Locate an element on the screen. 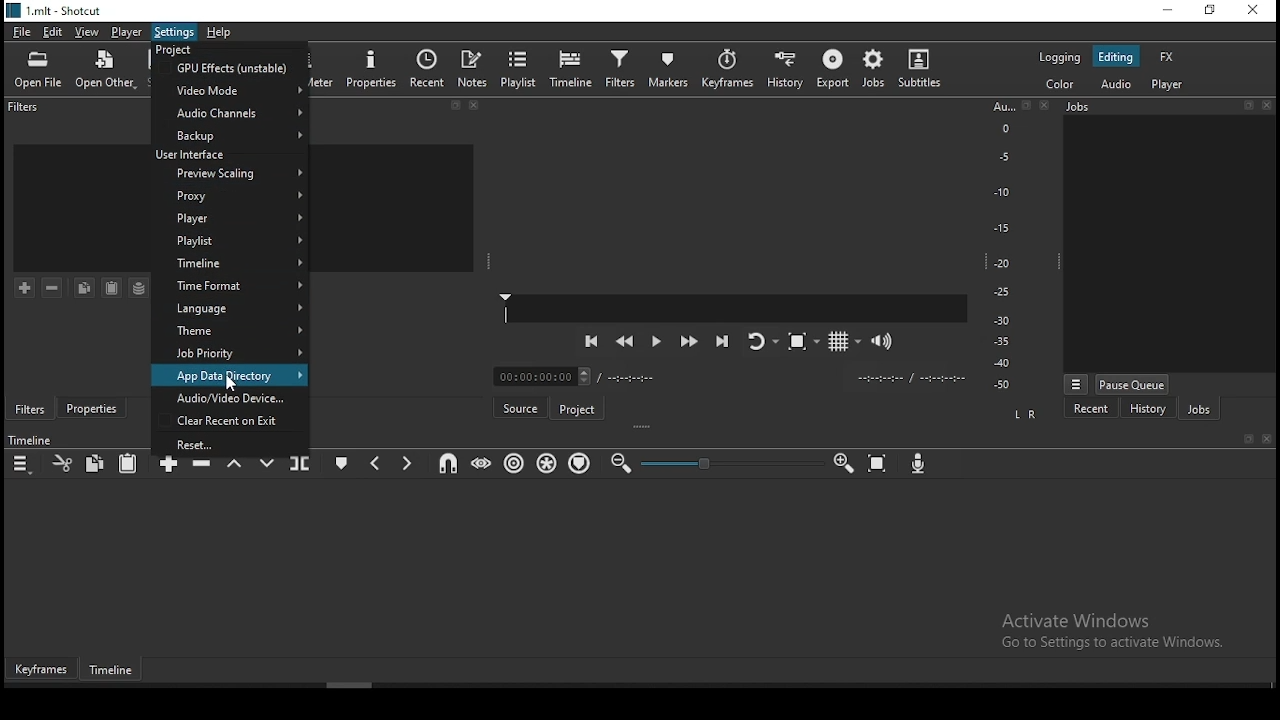 The width and height of the screenshot is (1280, 720). app data directory is located at coordinates (231, 375).